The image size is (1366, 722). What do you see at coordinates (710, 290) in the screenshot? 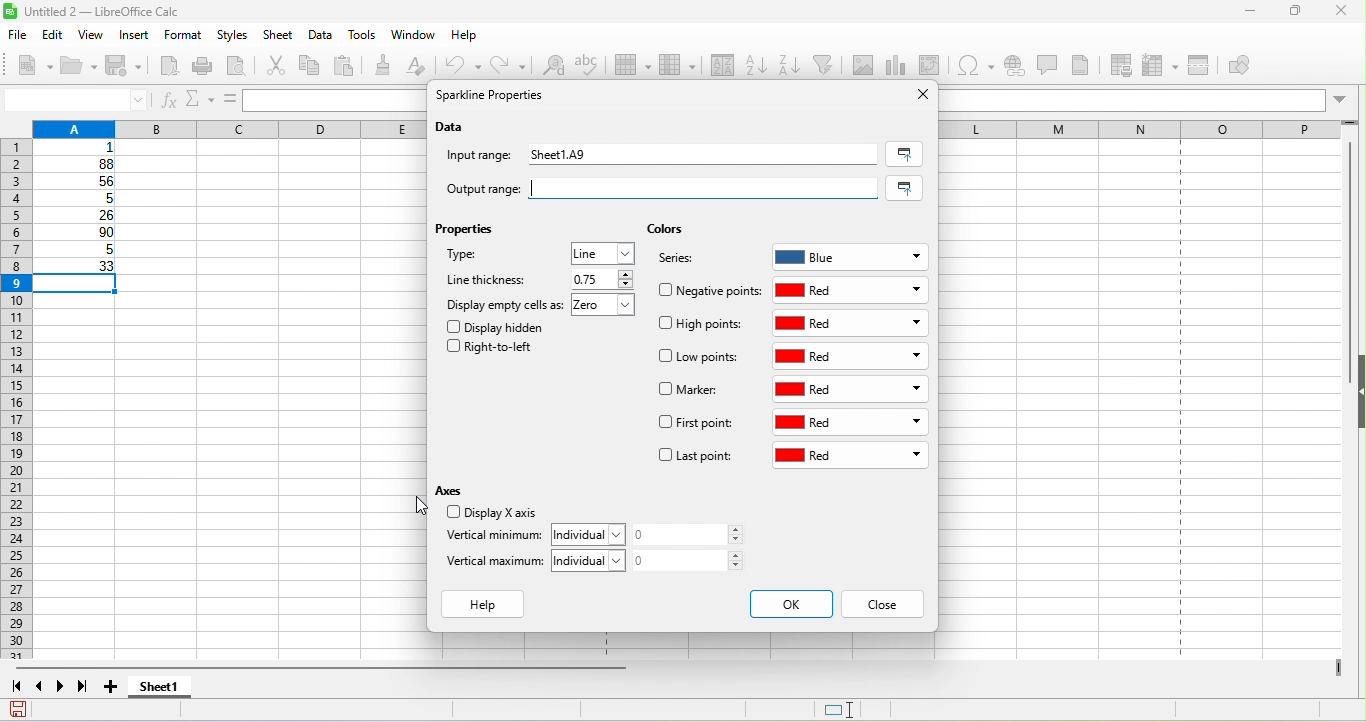
I see `negative points` at bounding box center [710, 290].